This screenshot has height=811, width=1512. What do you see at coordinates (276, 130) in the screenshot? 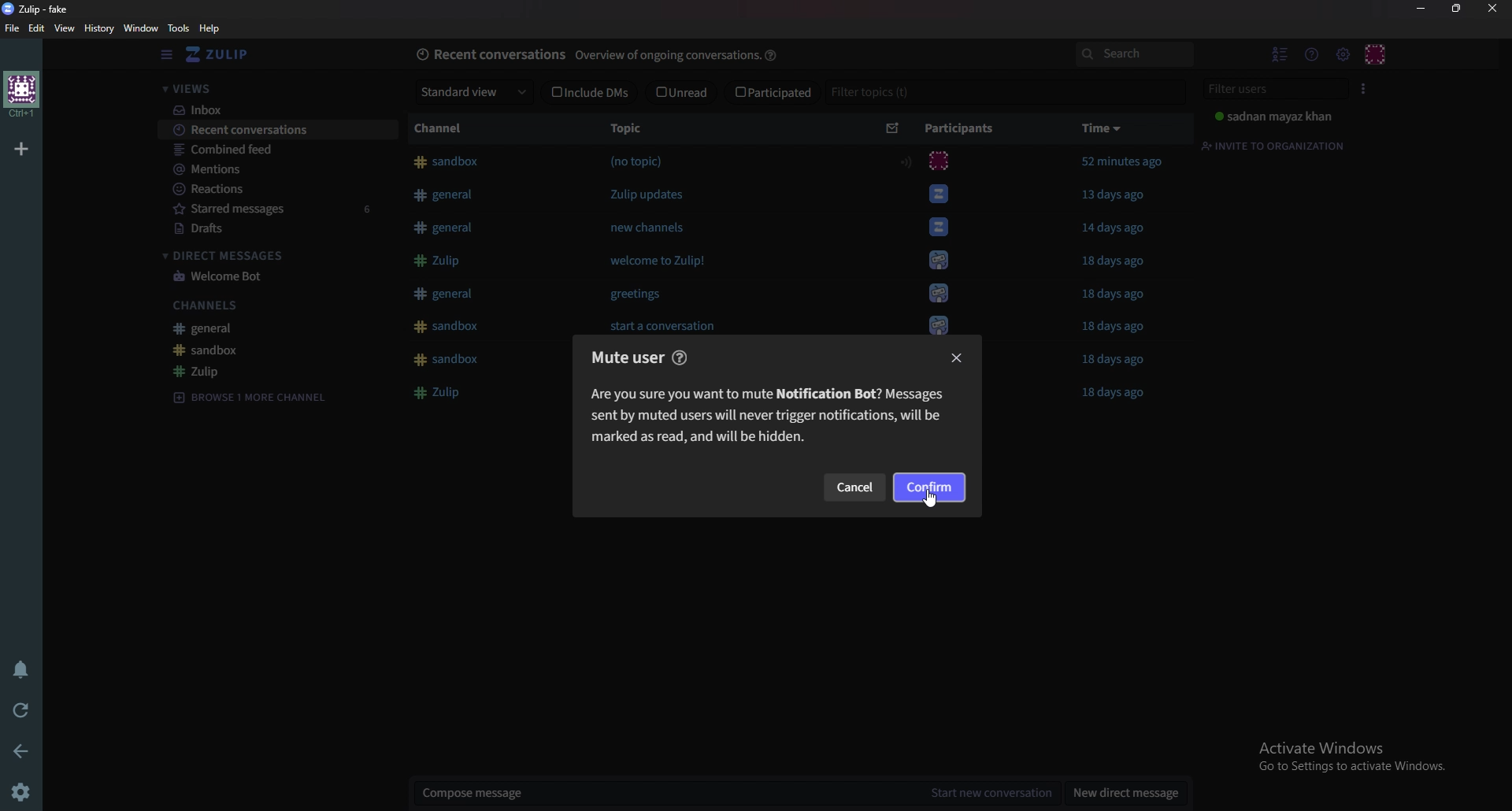
I see `Recent conversations` at bounding box center [276, 130].